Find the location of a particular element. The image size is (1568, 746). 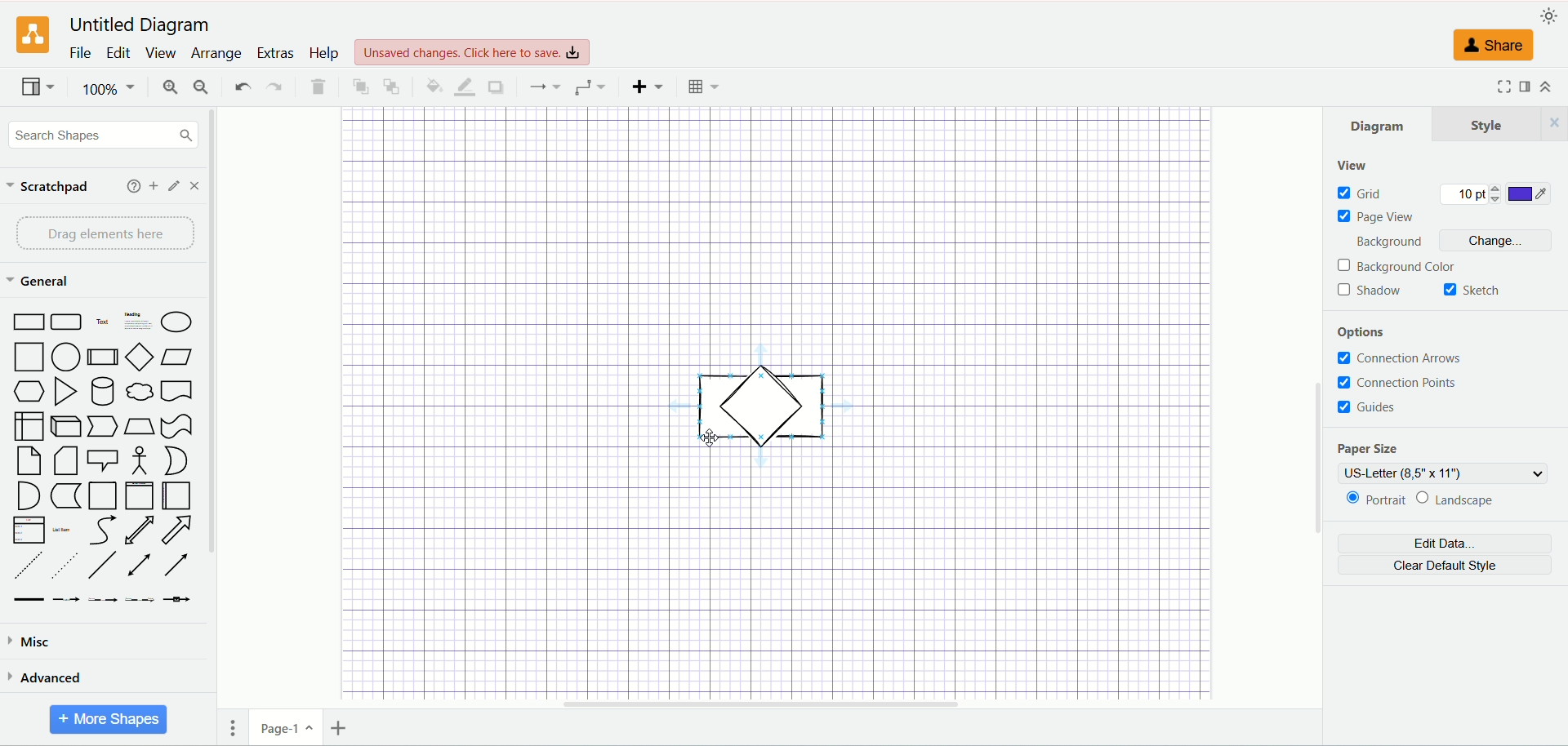

dashed line is located at coordinates (23, 564).